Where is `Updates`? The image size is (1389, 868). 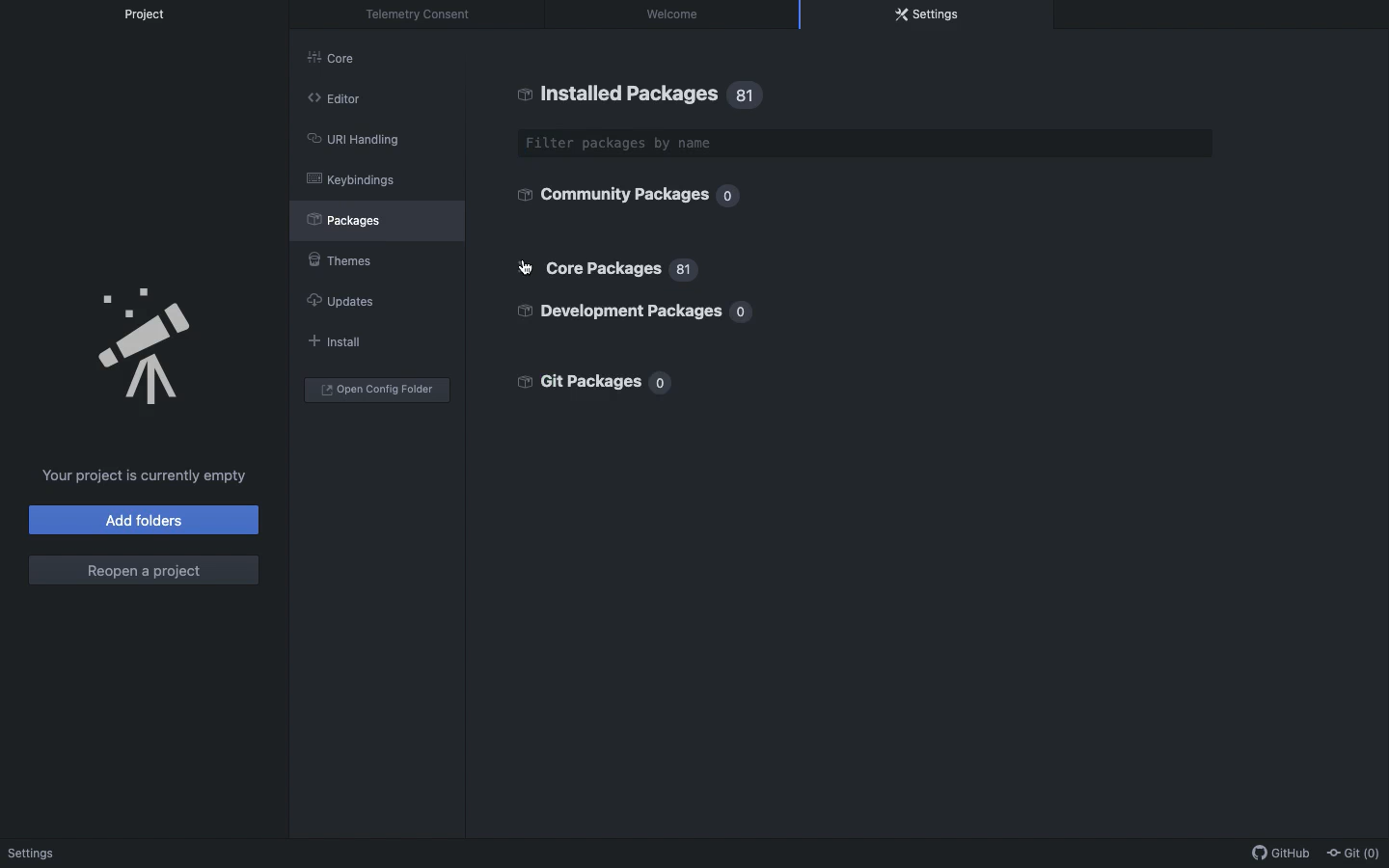 Updates is located at coordinates (339, 301).